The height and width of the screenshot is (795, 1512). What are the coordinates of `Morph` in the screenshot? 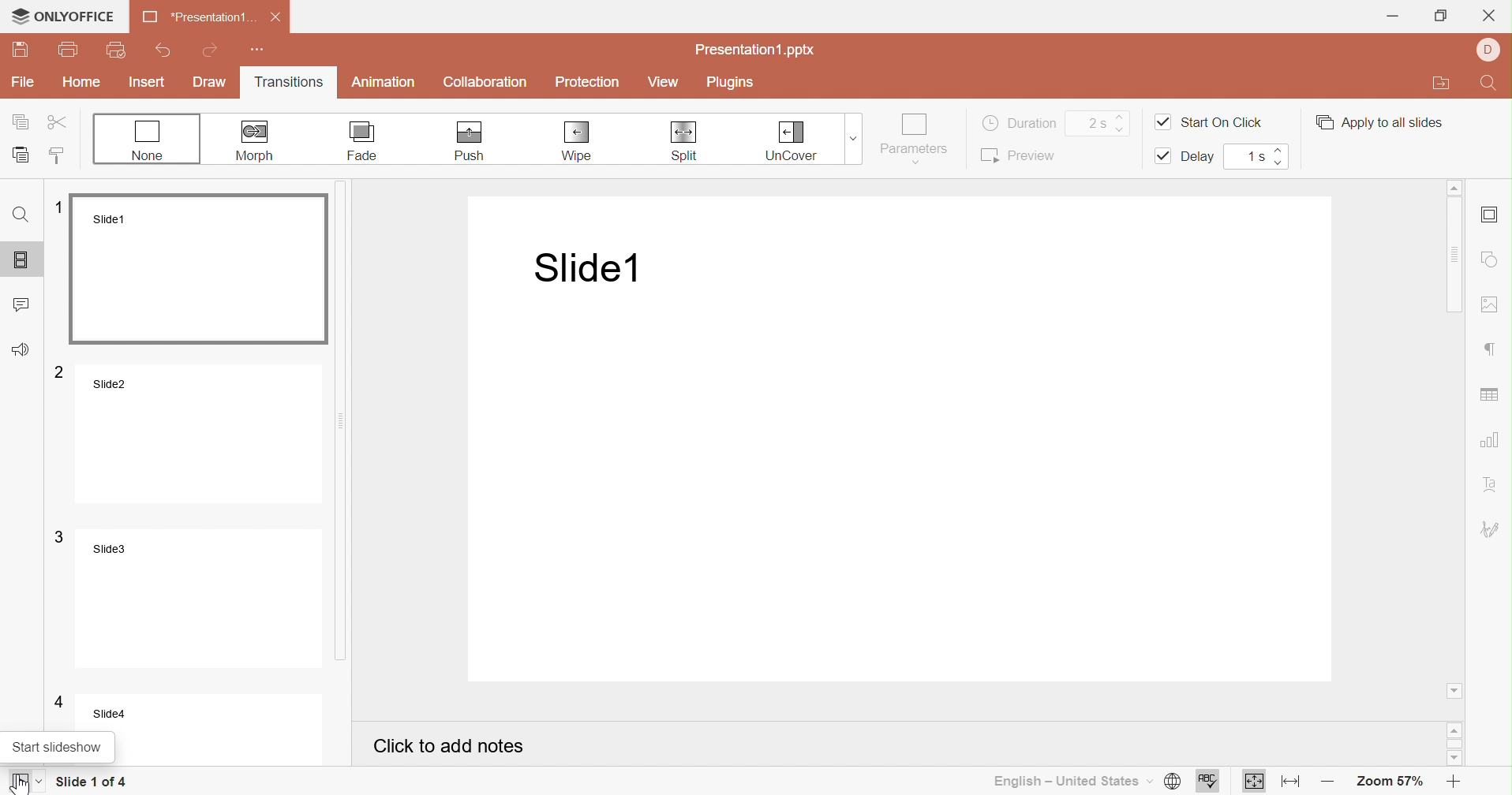 It's located at (253, 140).